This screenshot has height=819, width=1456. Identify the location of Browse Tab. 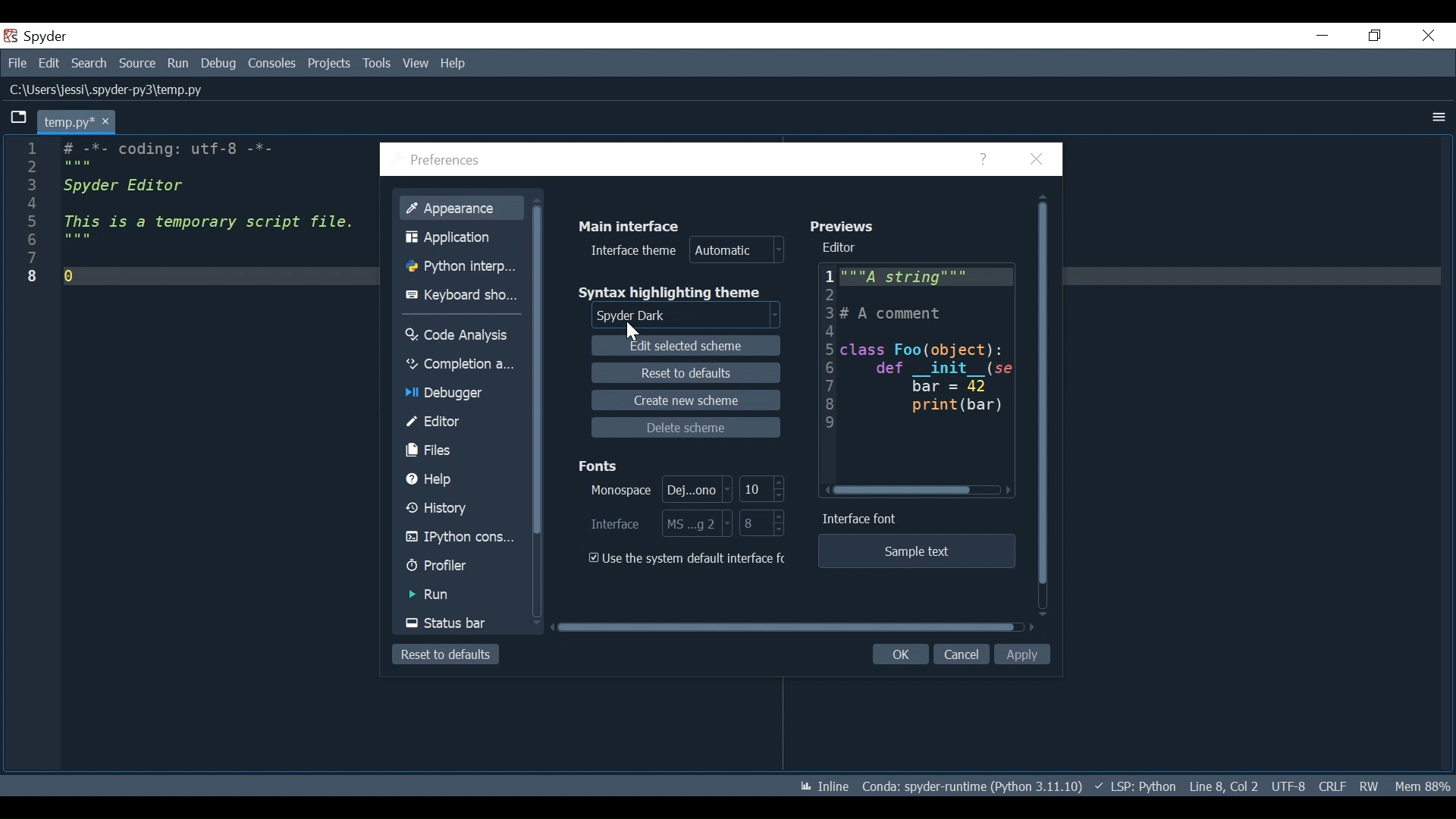
(17, 119).